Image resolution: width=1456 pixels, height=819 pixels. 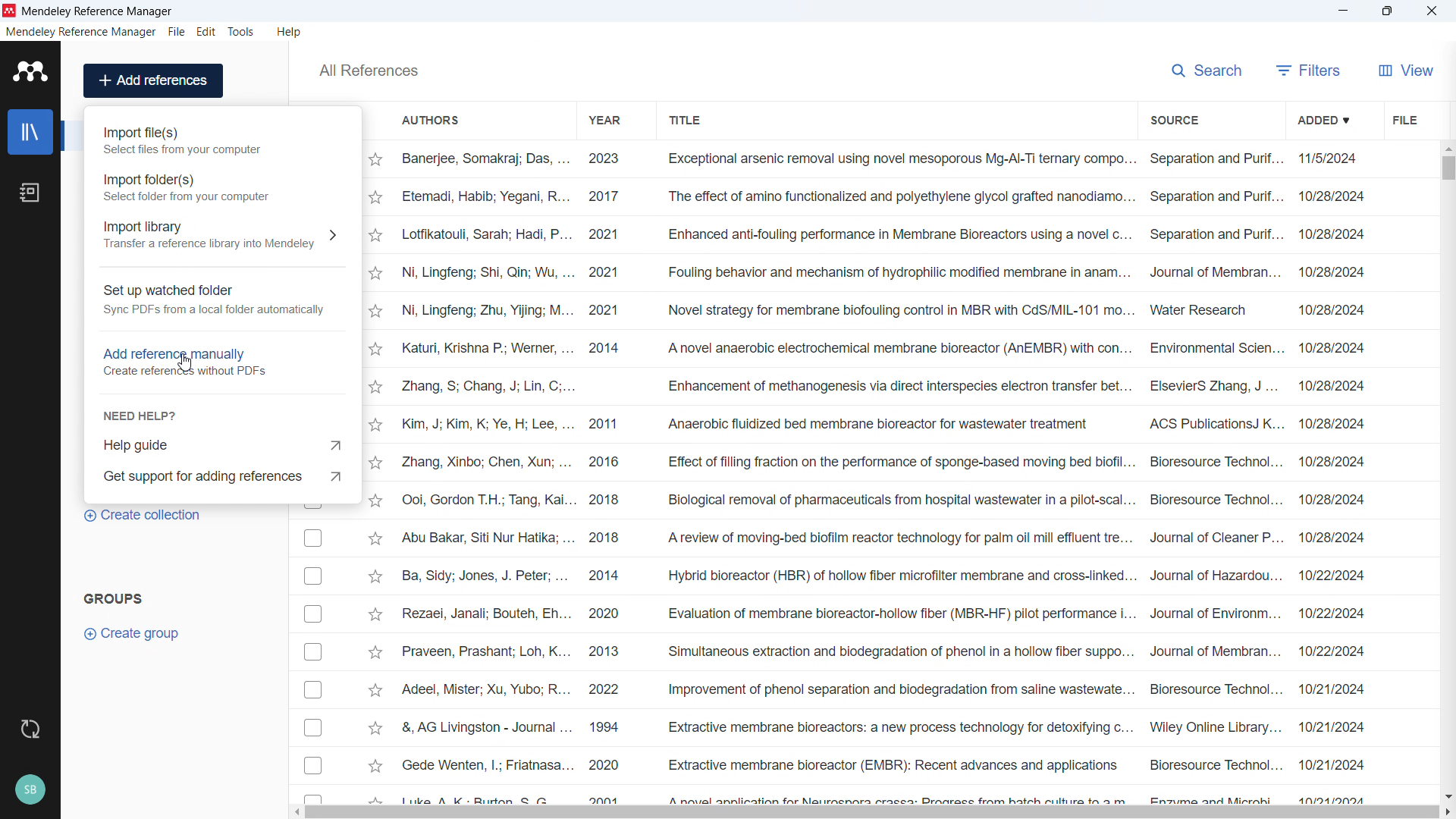 I want to click on Horizontal scroll bar , so click(x=873, y=813).